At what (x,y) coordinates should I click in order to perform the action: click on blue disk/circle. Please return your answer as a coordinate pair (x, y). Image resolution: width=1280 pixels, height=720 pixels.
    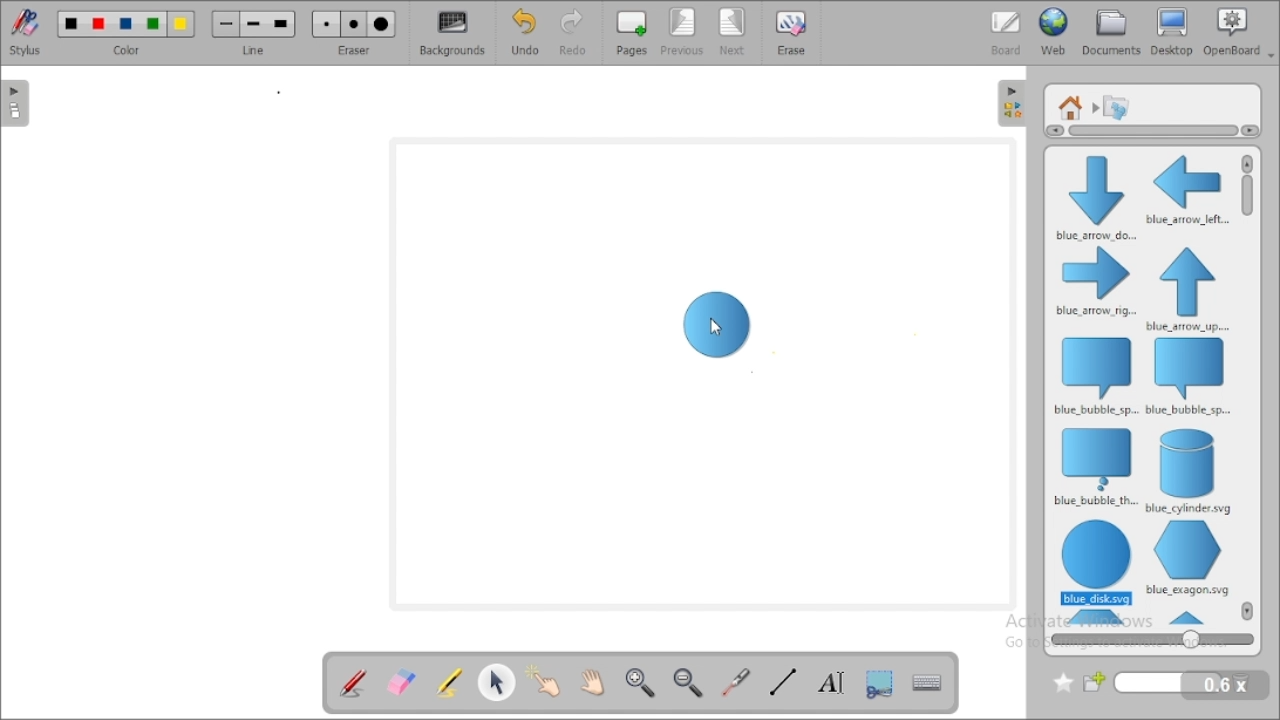
    Looking at the image, I should click on (1095, 563).